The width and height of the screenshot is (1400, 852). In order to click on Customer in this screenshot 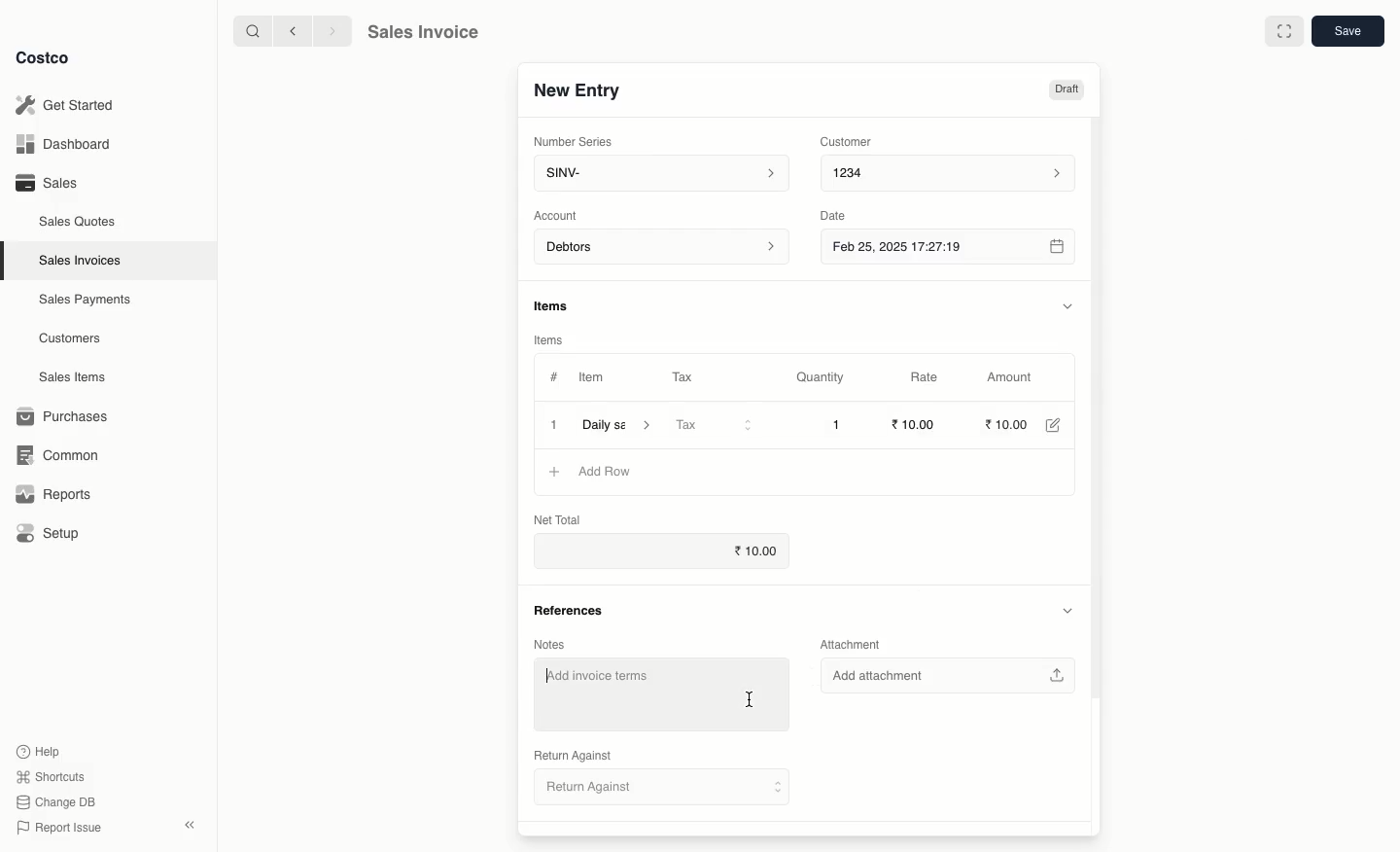, I will do `click(852, 143)`.